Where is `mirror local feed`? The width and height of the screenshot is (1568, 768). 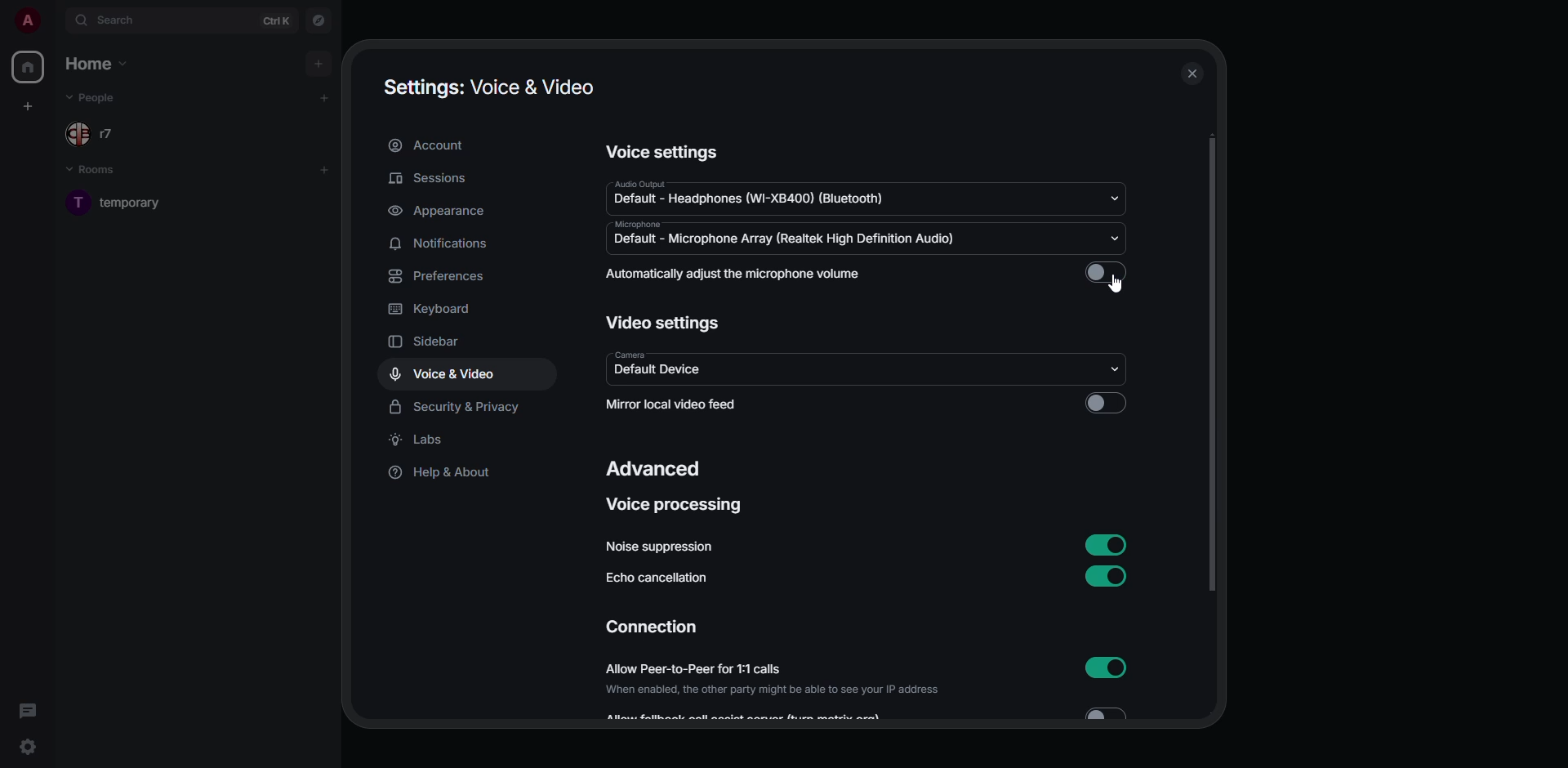
mirror local feed is located at coordinates (671, 402).